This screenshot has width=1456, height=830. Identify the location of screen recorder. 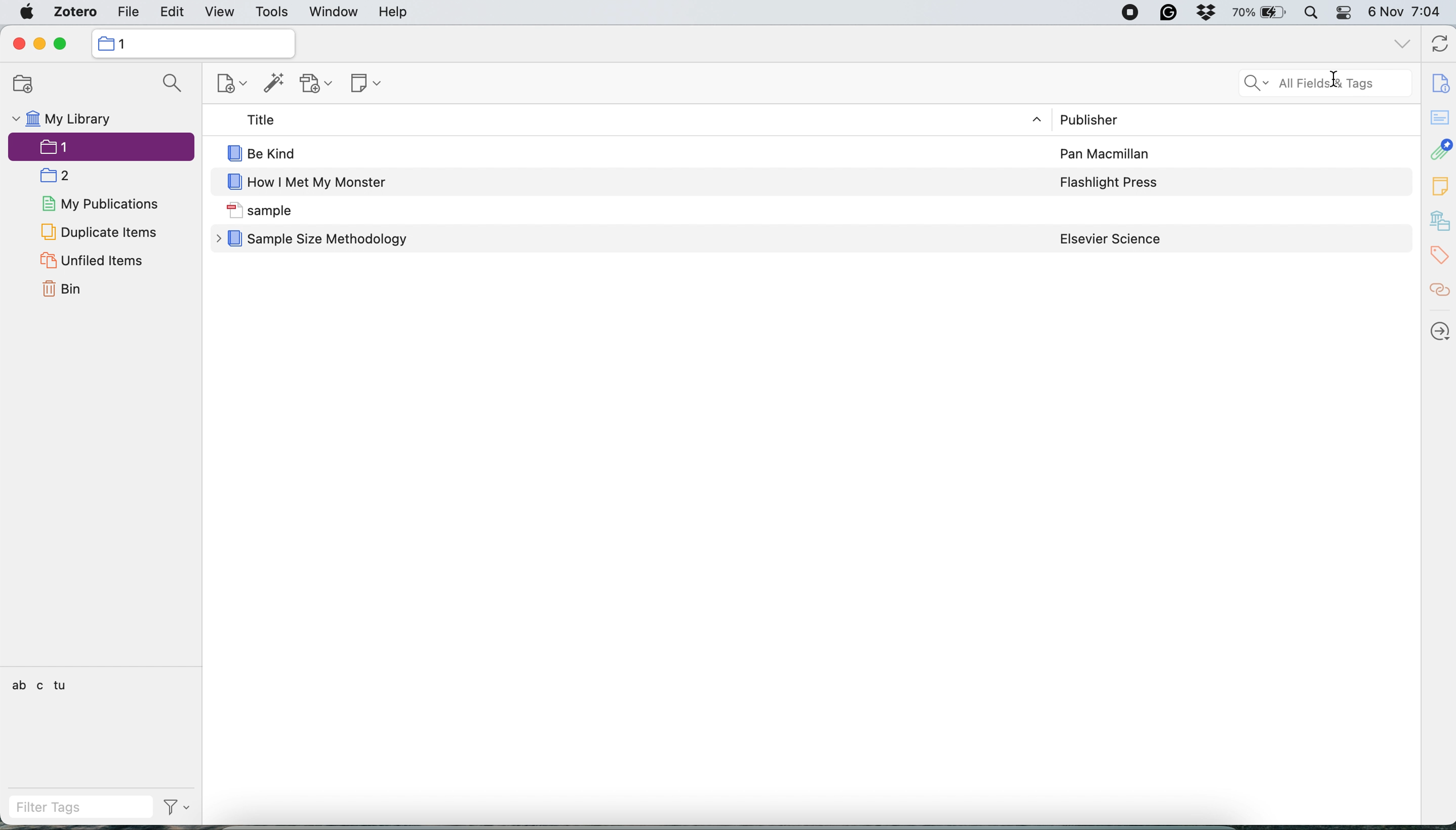
(1129, 13).